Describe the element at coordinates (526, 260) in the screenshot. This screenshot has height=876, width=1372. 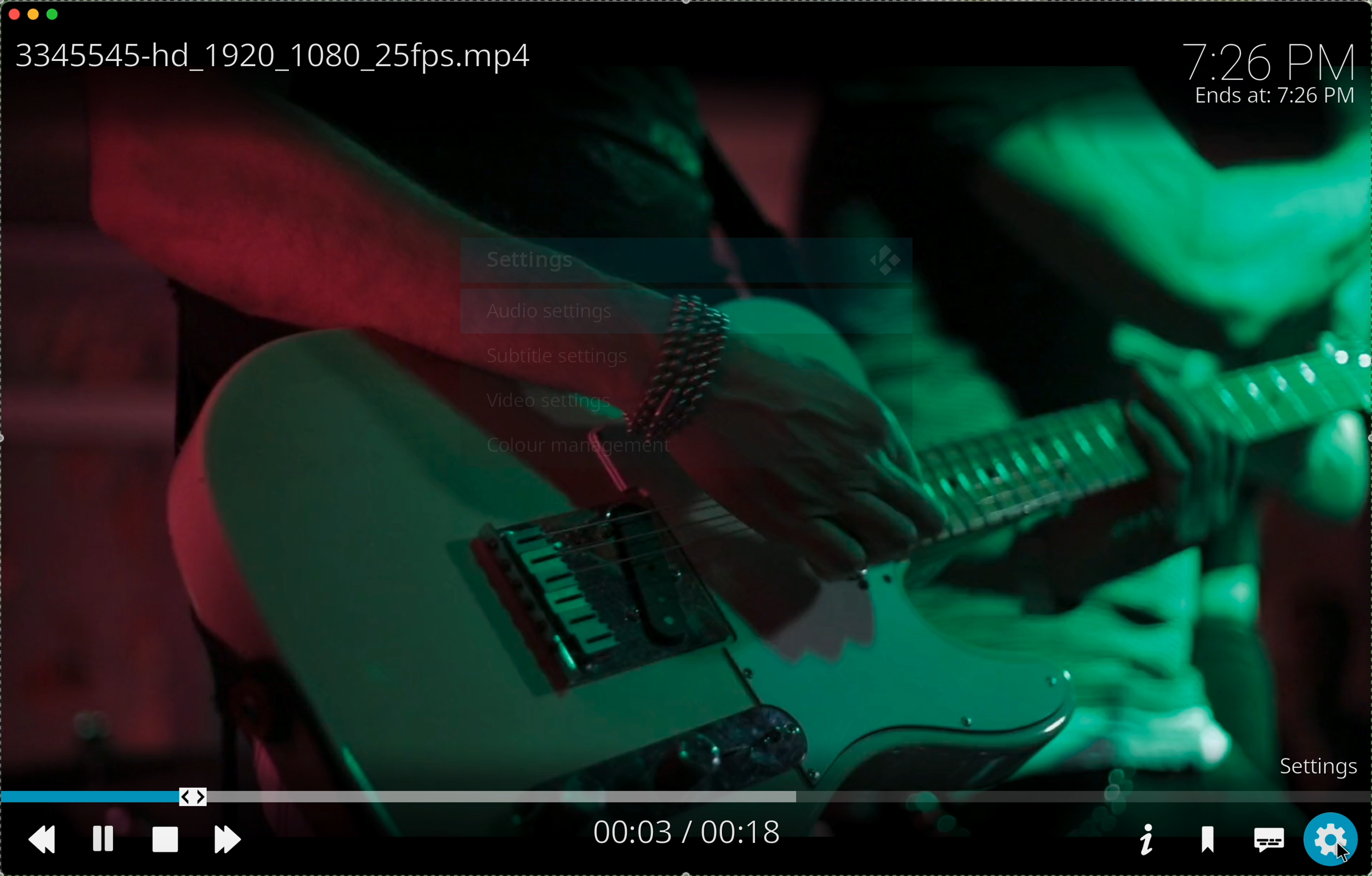
I see `settings` at that location.